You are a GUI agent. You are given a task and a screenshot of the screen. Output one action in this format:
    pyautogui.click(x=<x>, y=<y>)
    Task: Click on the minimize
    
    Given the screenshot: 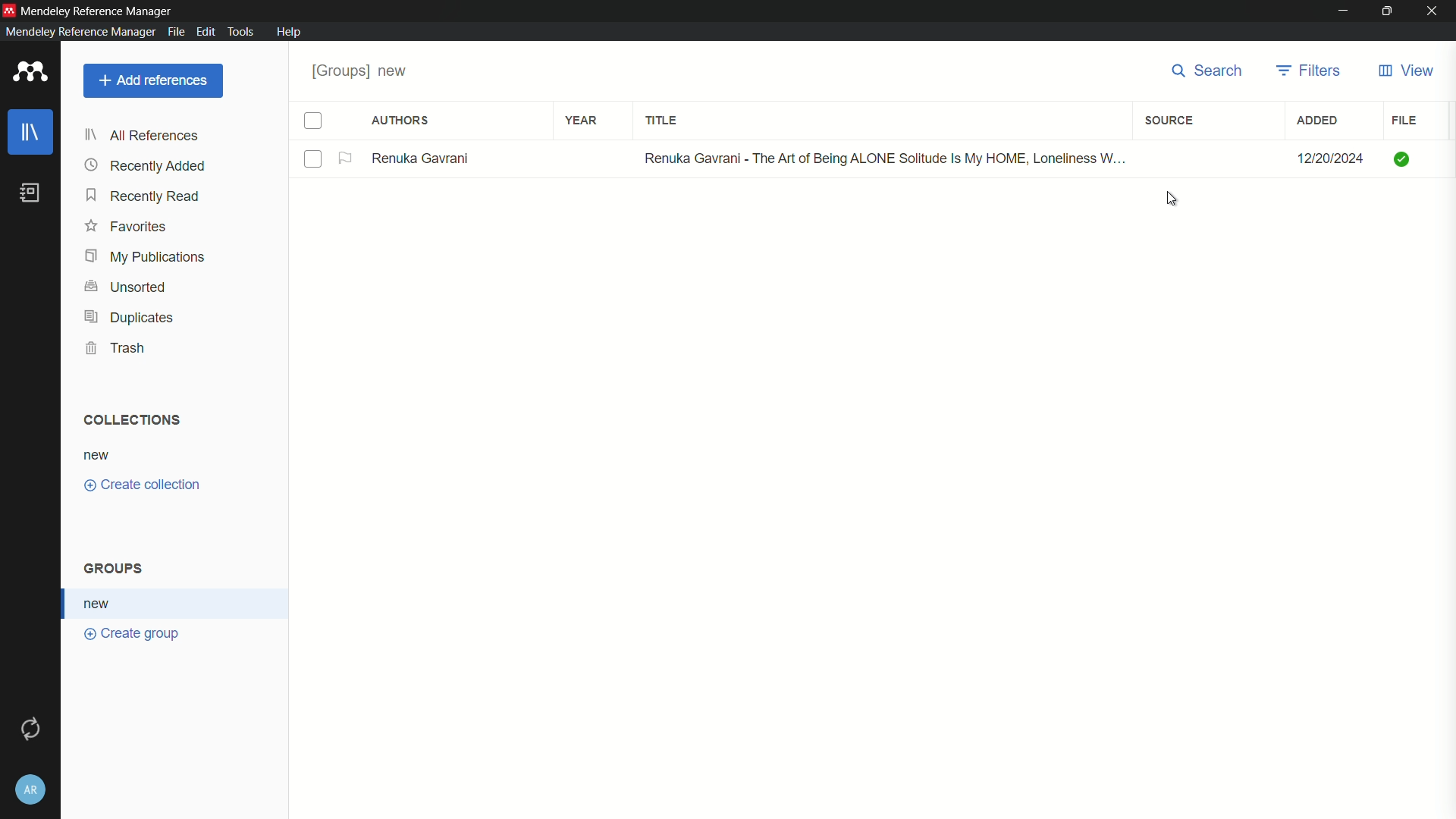 What is the action you would take?
    pyautogui.click(x=1341, y=11)
    